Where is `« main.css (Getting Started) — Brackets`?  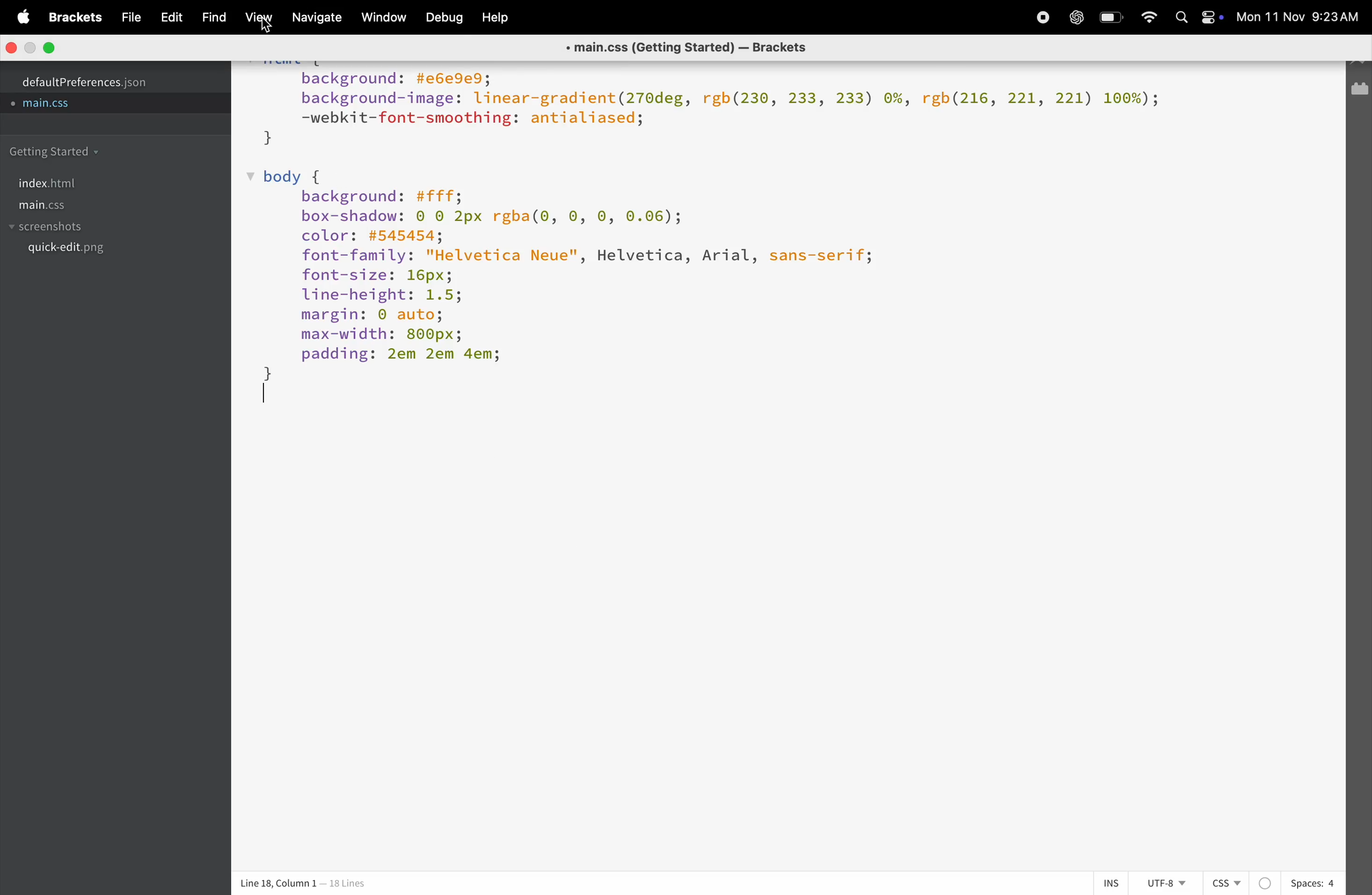
« main.css (Getting Started) — Brackets is located at coordinates (688, 46).